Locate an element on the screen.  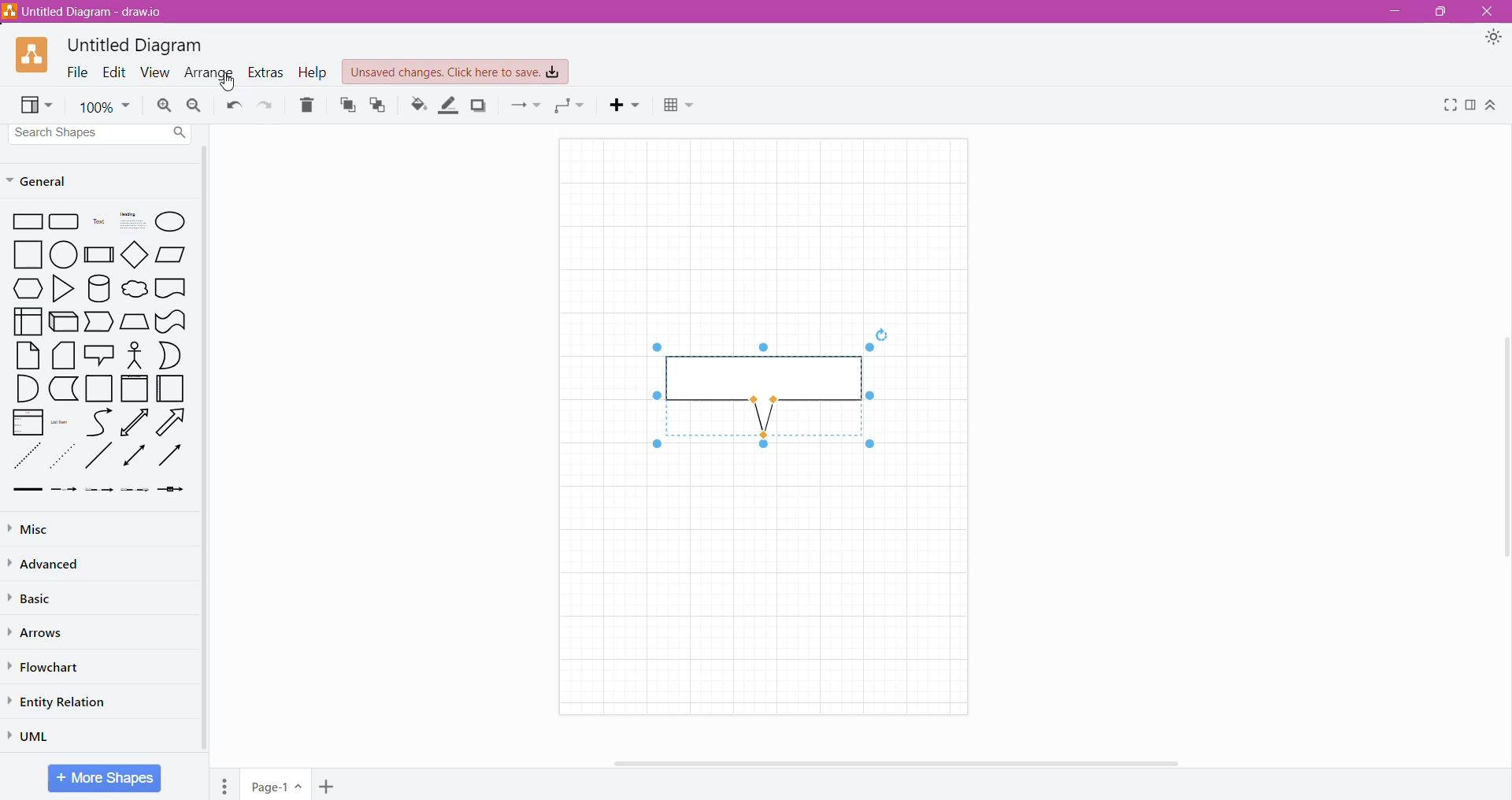
Page Name is located at coordinates (277, 784).